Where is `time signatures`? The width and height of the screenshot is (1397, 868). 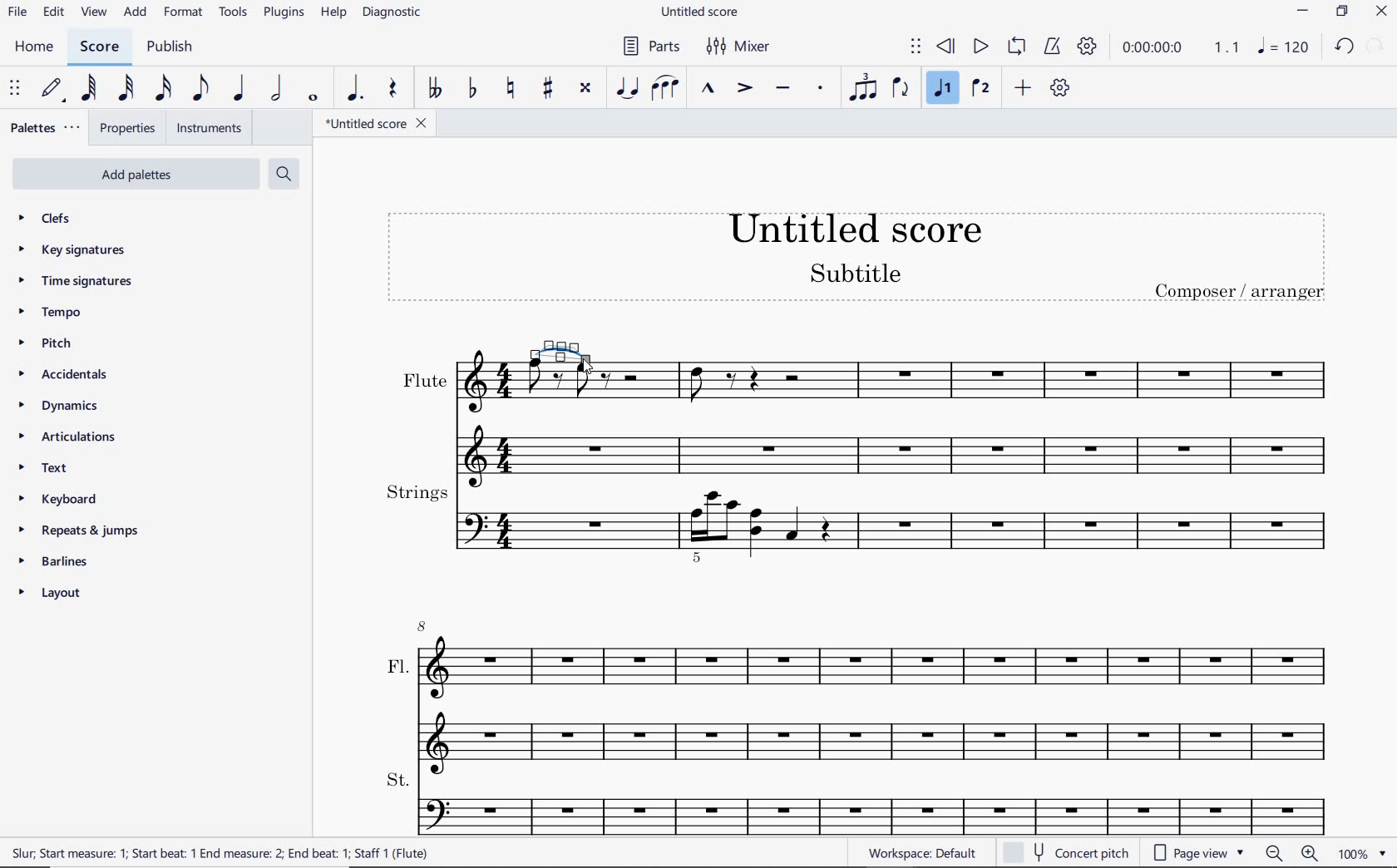 time signatures is located at coordinates (73, 282).